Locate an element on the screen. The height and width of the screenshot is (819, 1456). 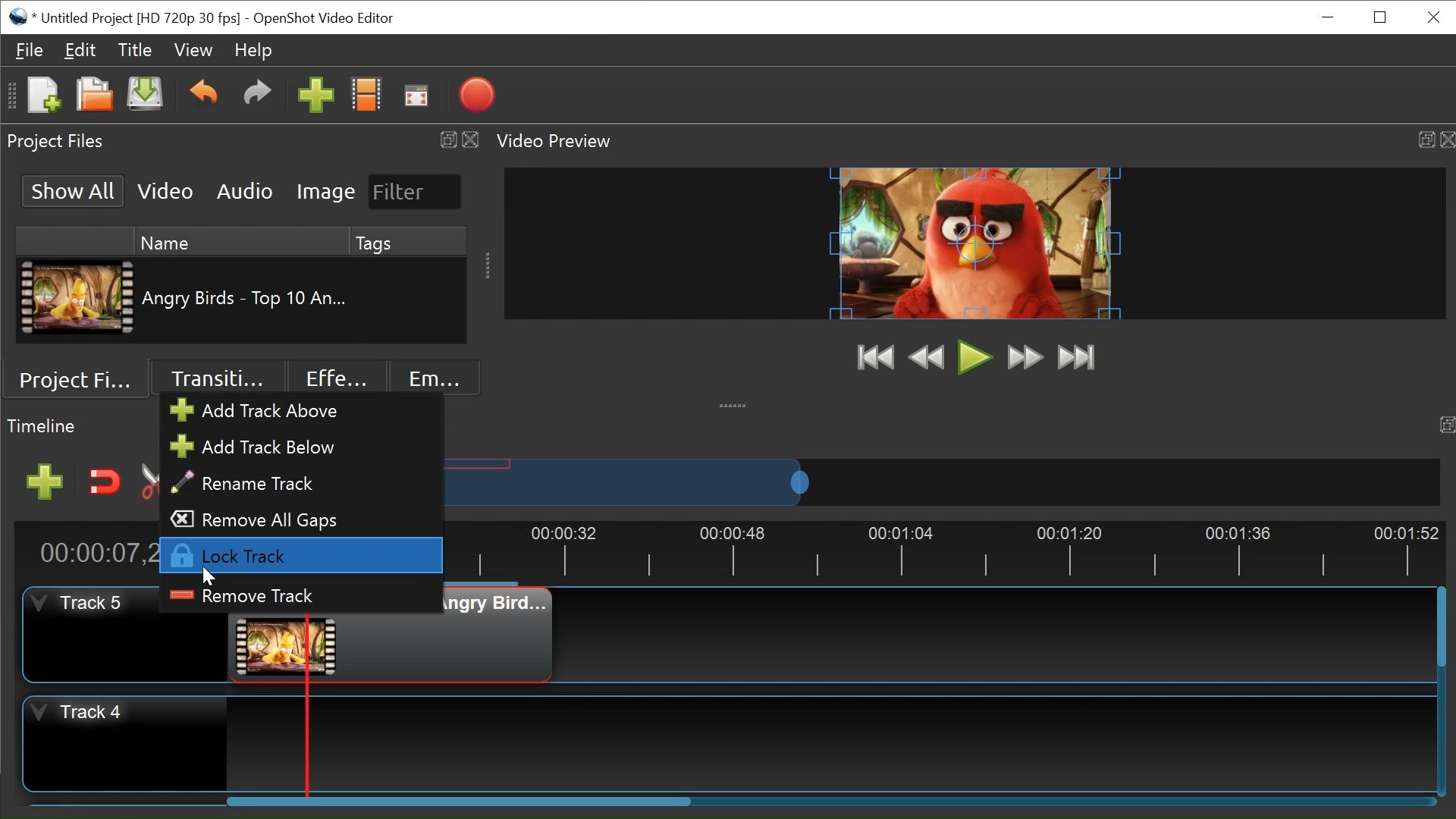
Import Files is located at coordinates (316, 96).